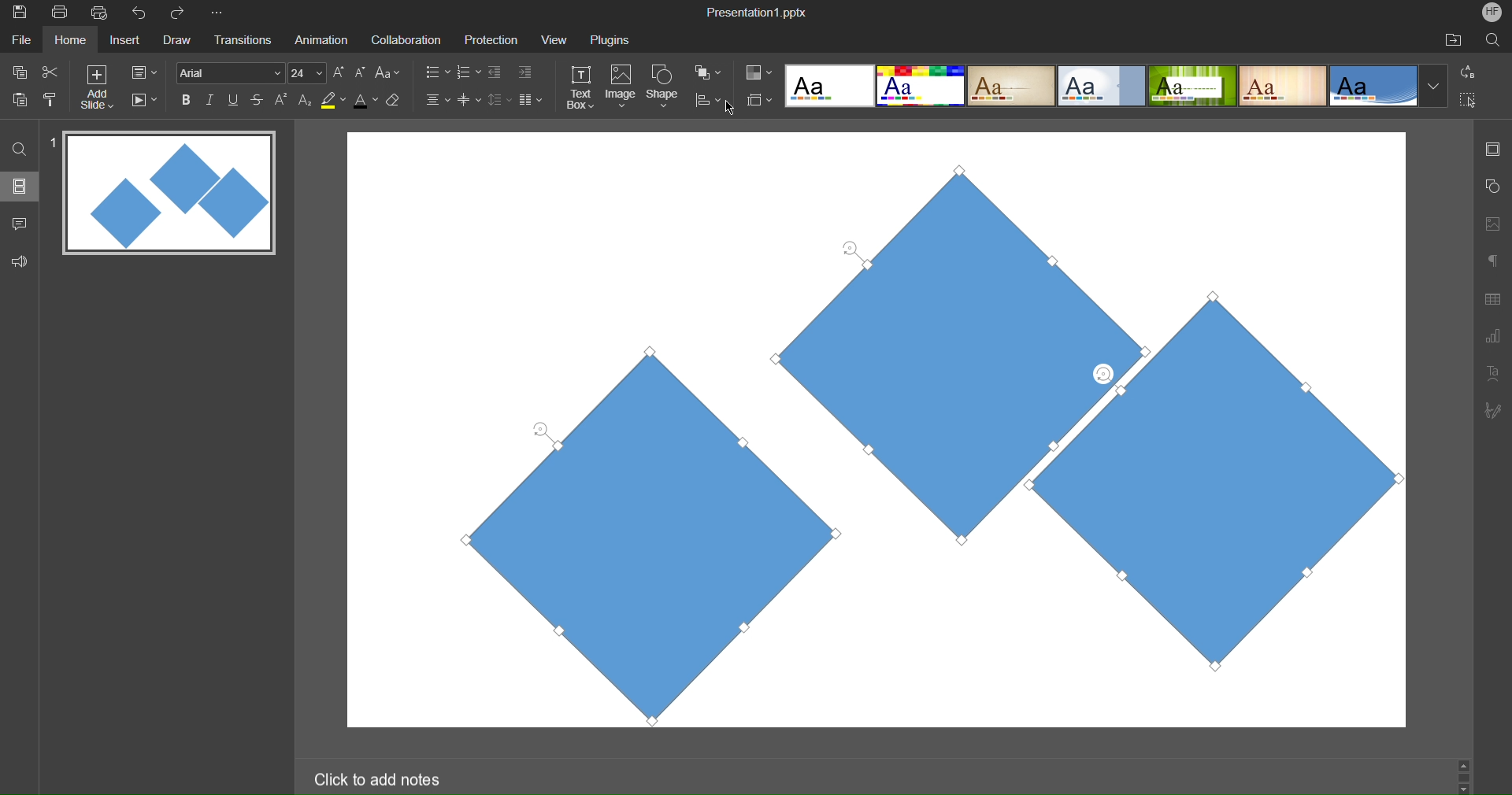 This screenshot has width=1512, height=795. I want to click on Vertical Align, so click(470, 99).